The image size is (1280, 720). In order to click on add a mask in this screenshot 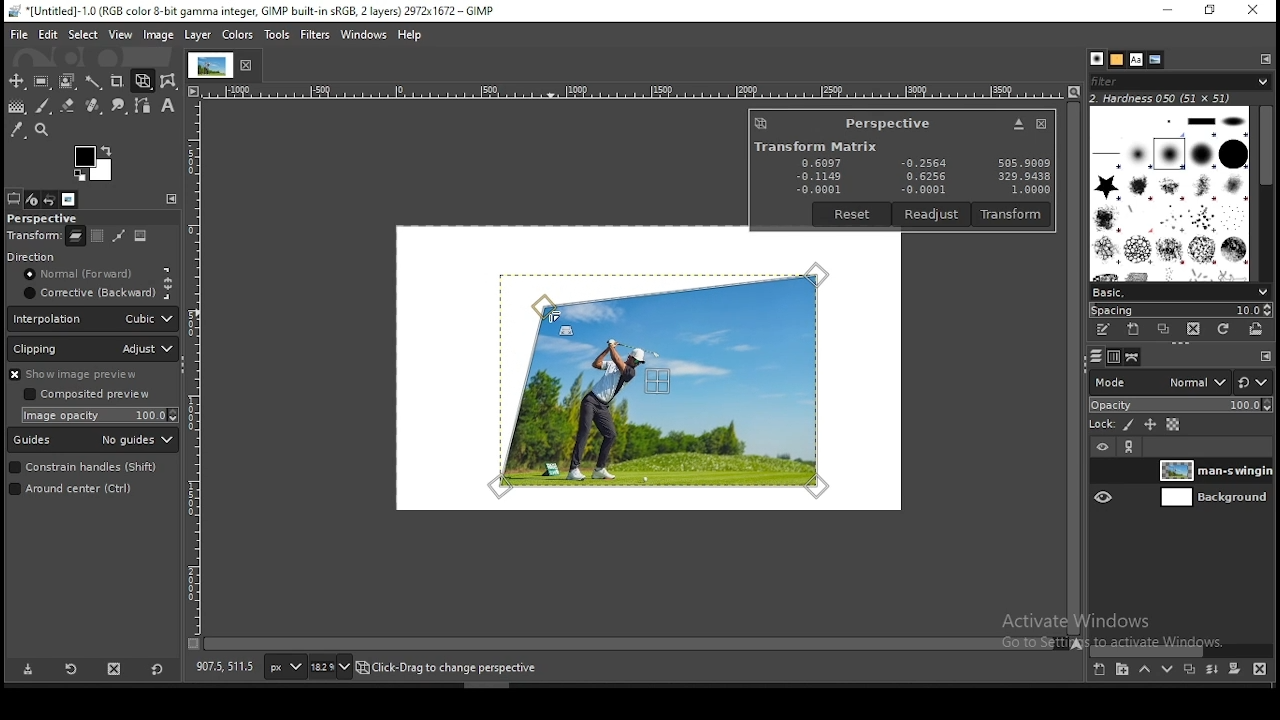, I will do `click(1231, 668)`.